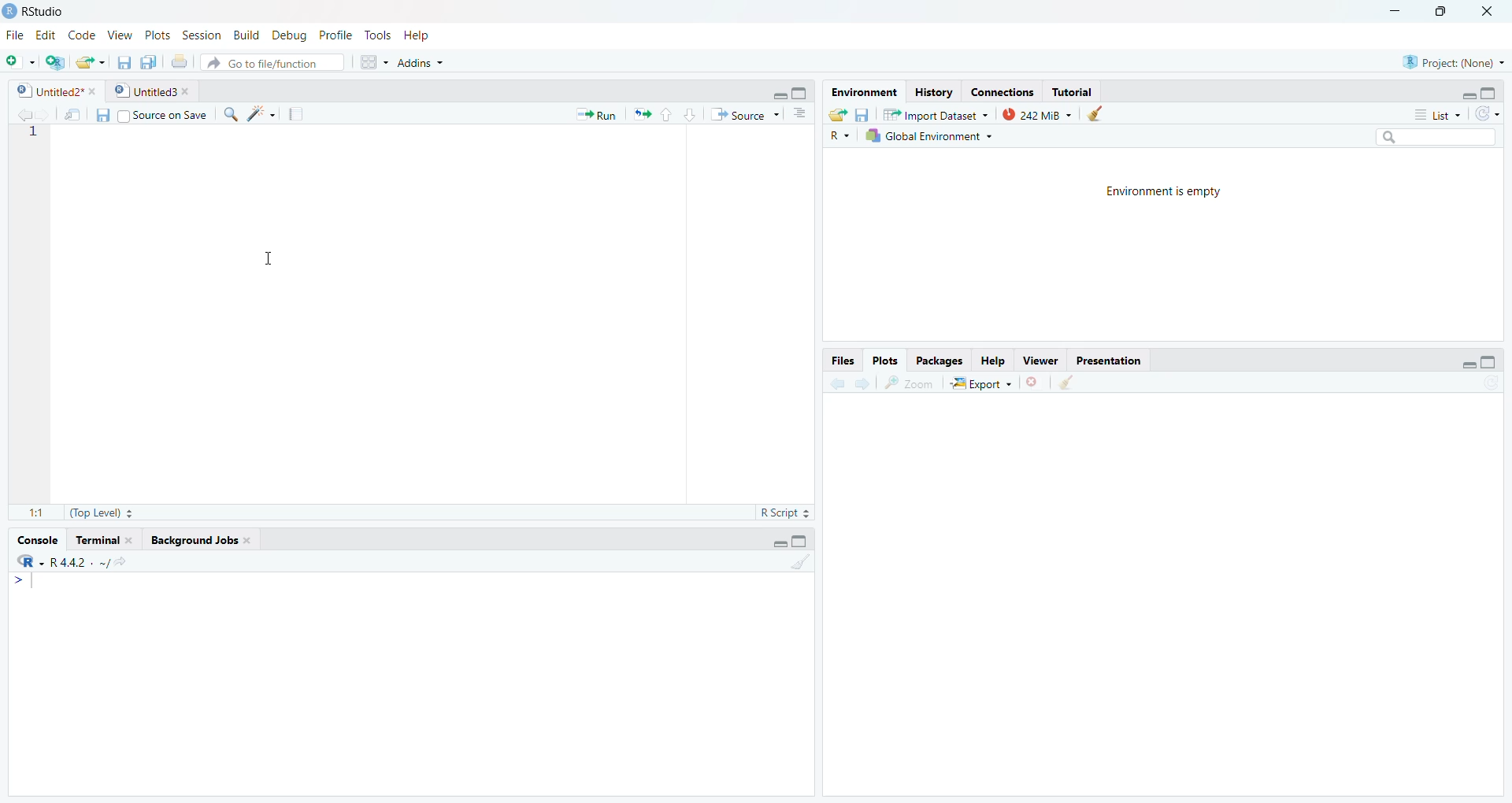 This screenshot has height=803, width=1512. Describe the element at coordinates (802, 542) in the screenshot. I see `Maximize` at that location.